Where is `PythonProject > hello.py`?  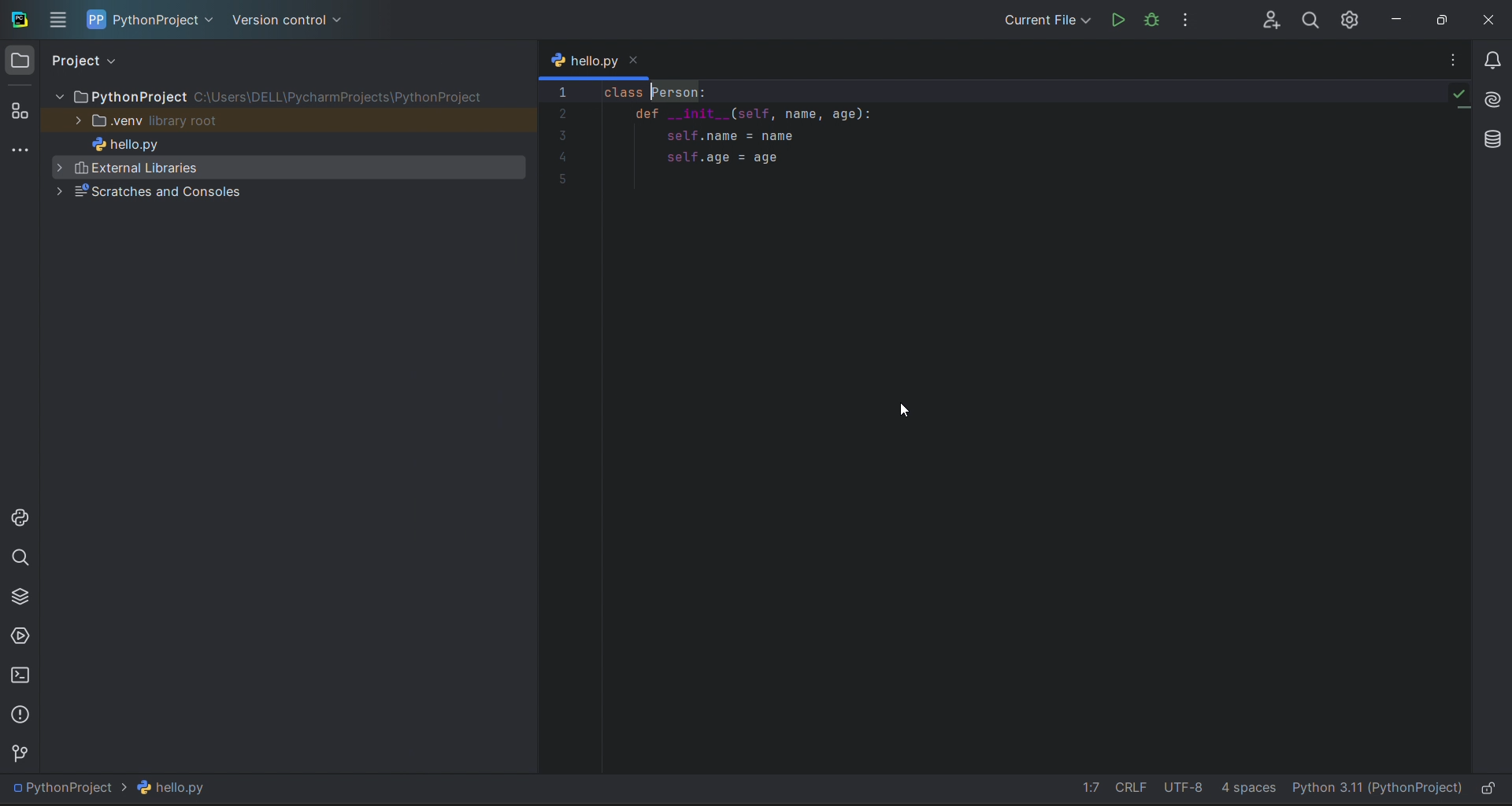
PythonProject > hello.py is located at coordinates (121, 788).